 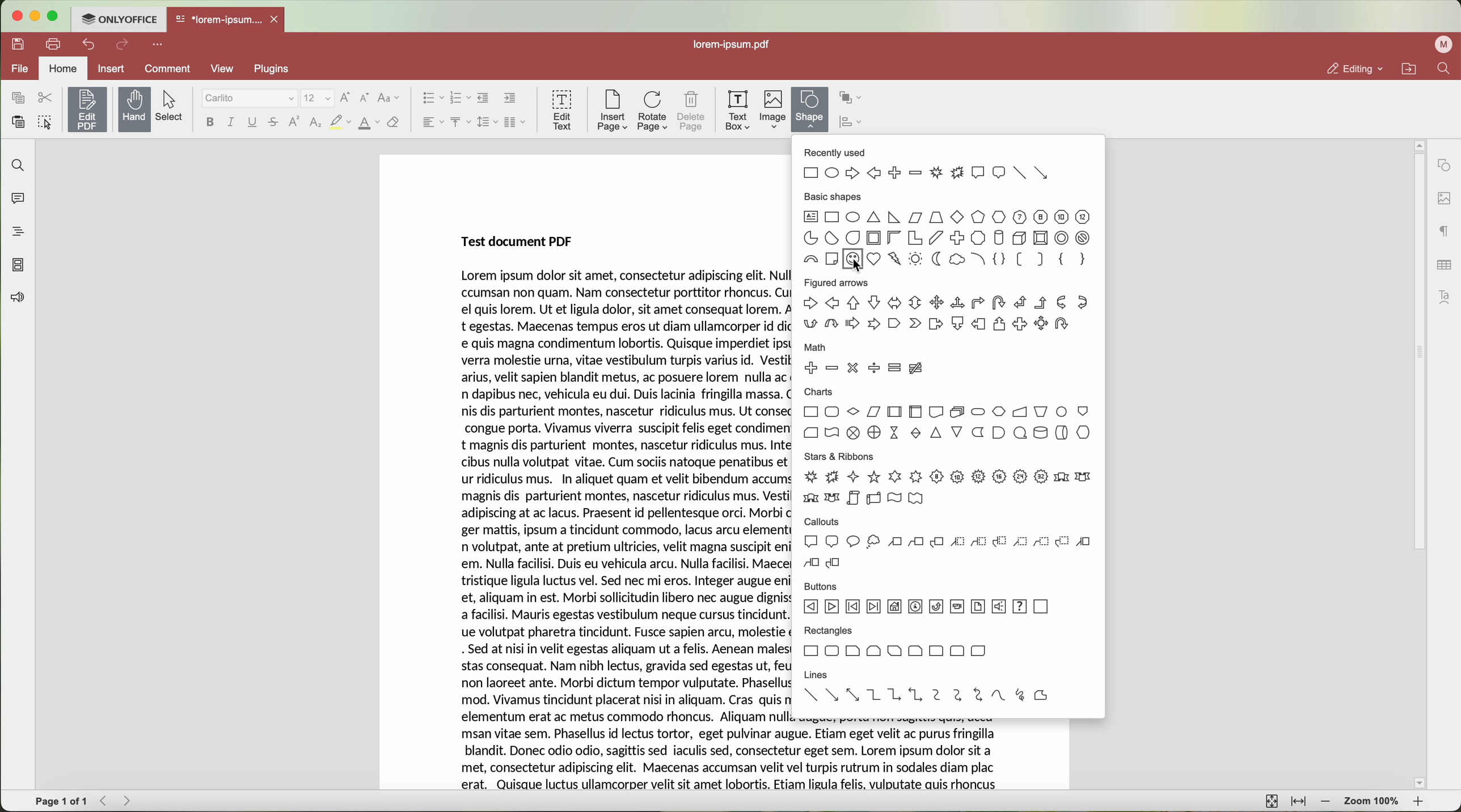 I want to click on shape settings, so click(x=1444, y=165).